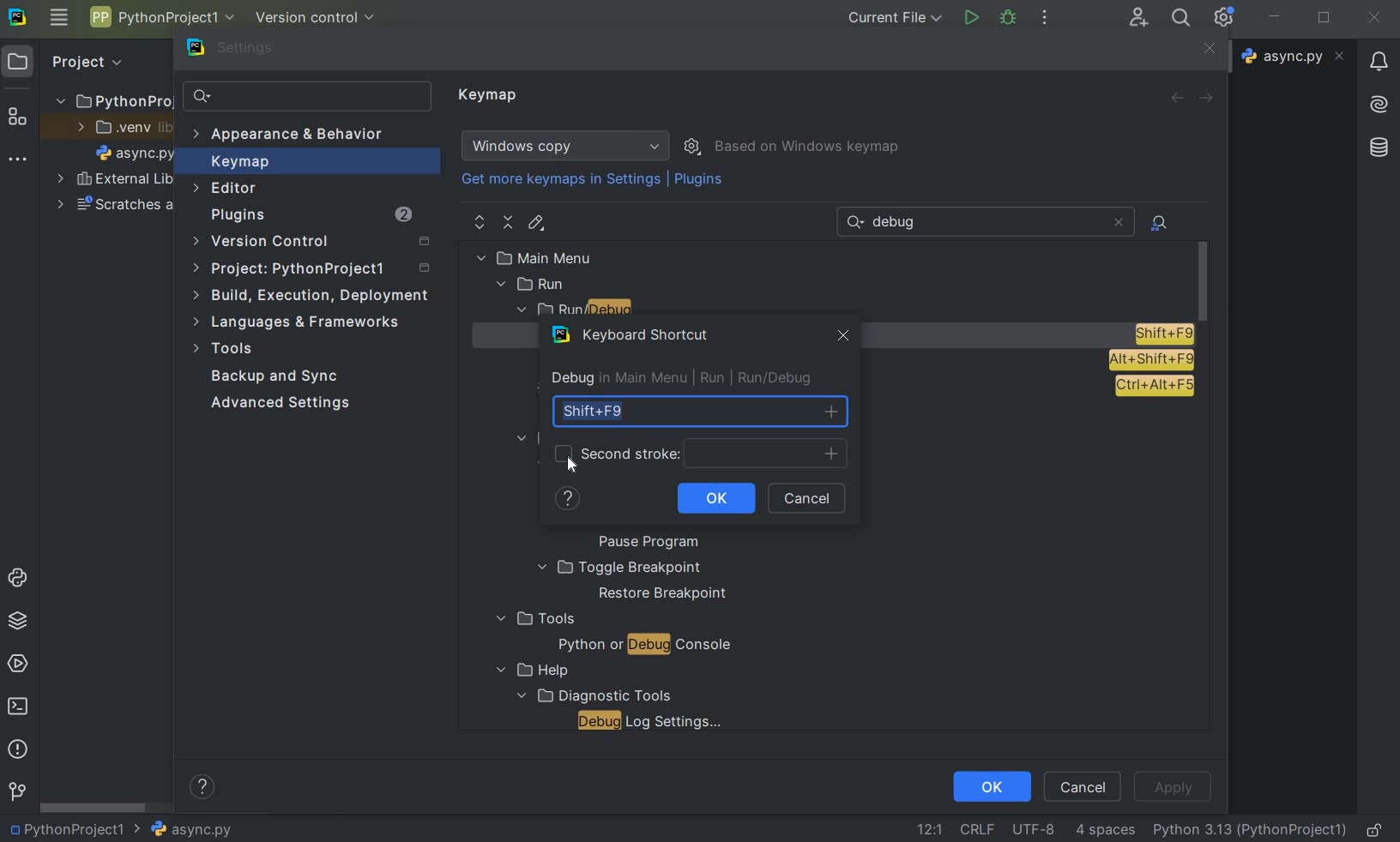 The image size is (1400, 842). I want to click on settings, so click(241, 51).